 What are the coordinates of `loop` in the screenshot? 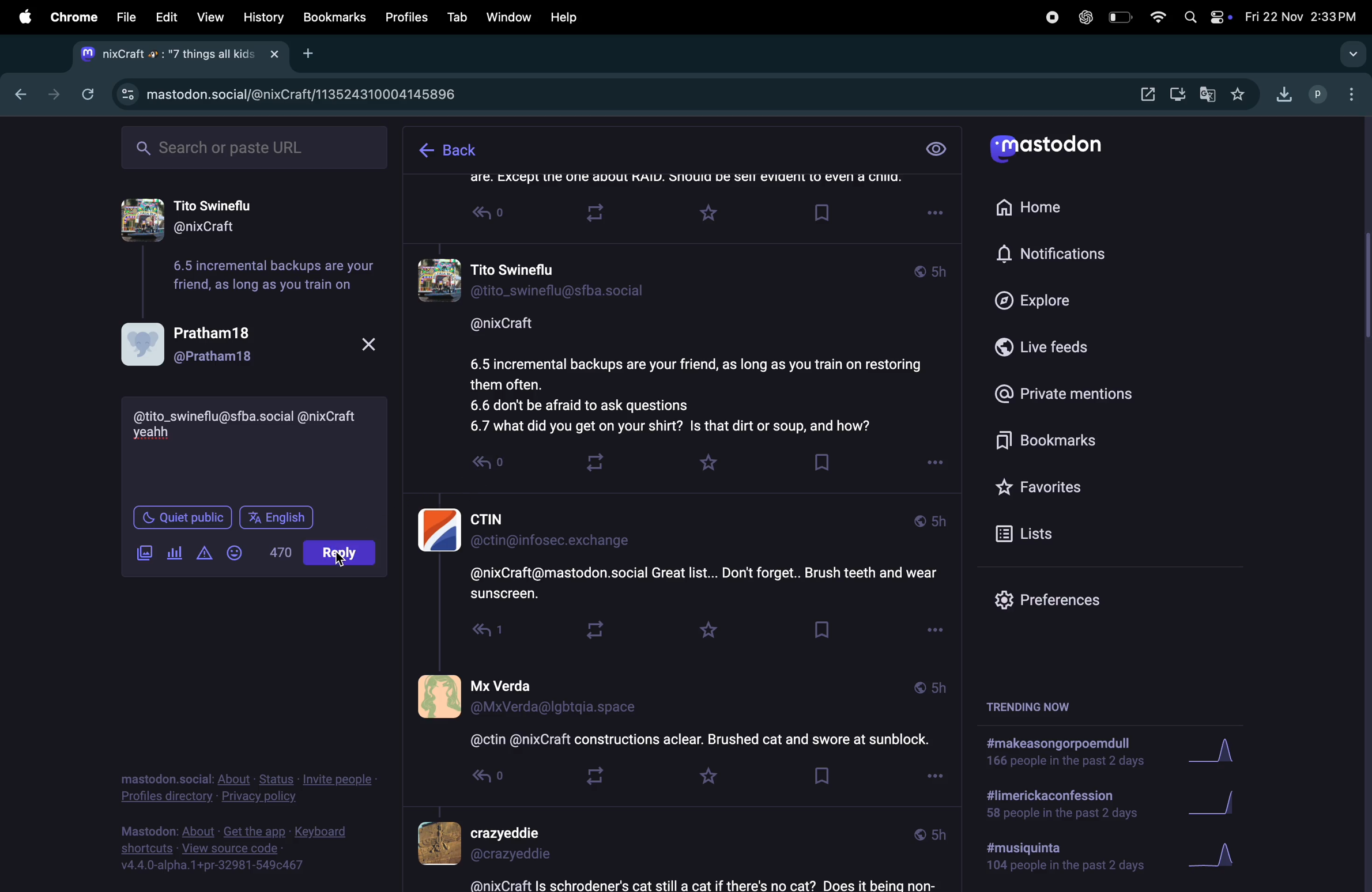 It's located at (594, 459).